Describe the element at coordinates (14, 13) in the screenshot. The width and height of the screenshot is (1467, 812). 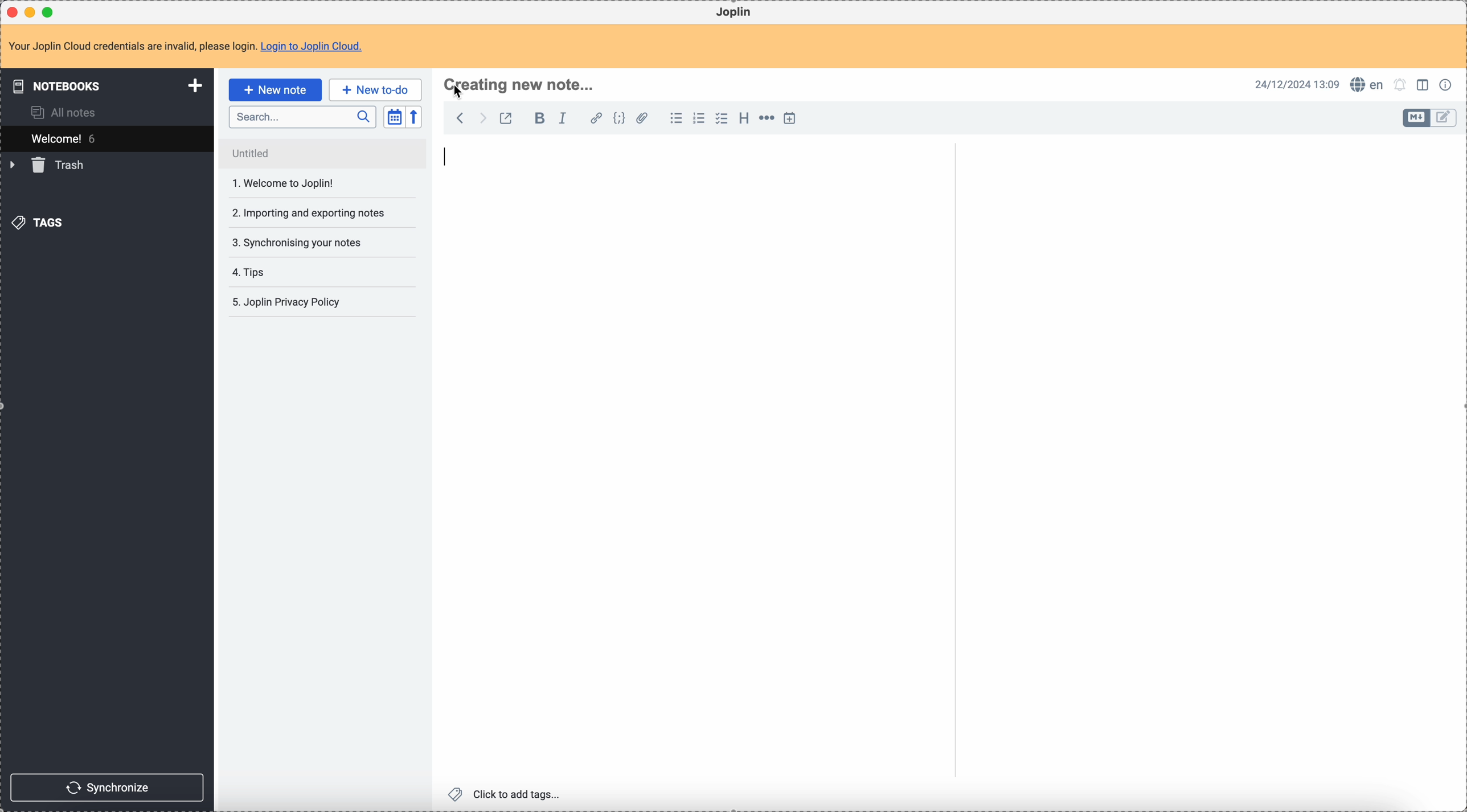
I see `close` at that location.